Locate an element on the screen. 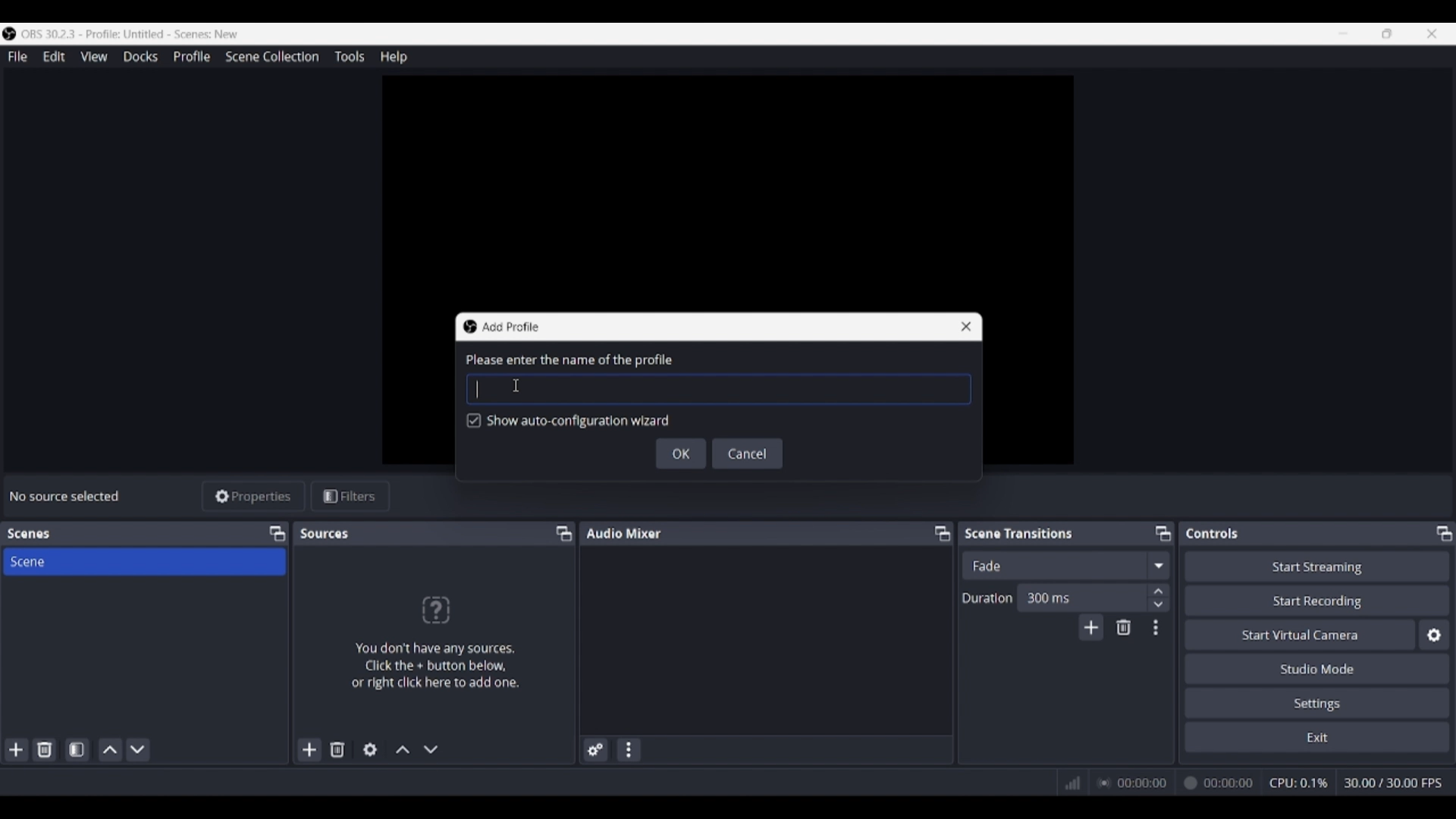 This screenshot has height=819, width=1456. Recording duration is located at coordinates (1175, 783).